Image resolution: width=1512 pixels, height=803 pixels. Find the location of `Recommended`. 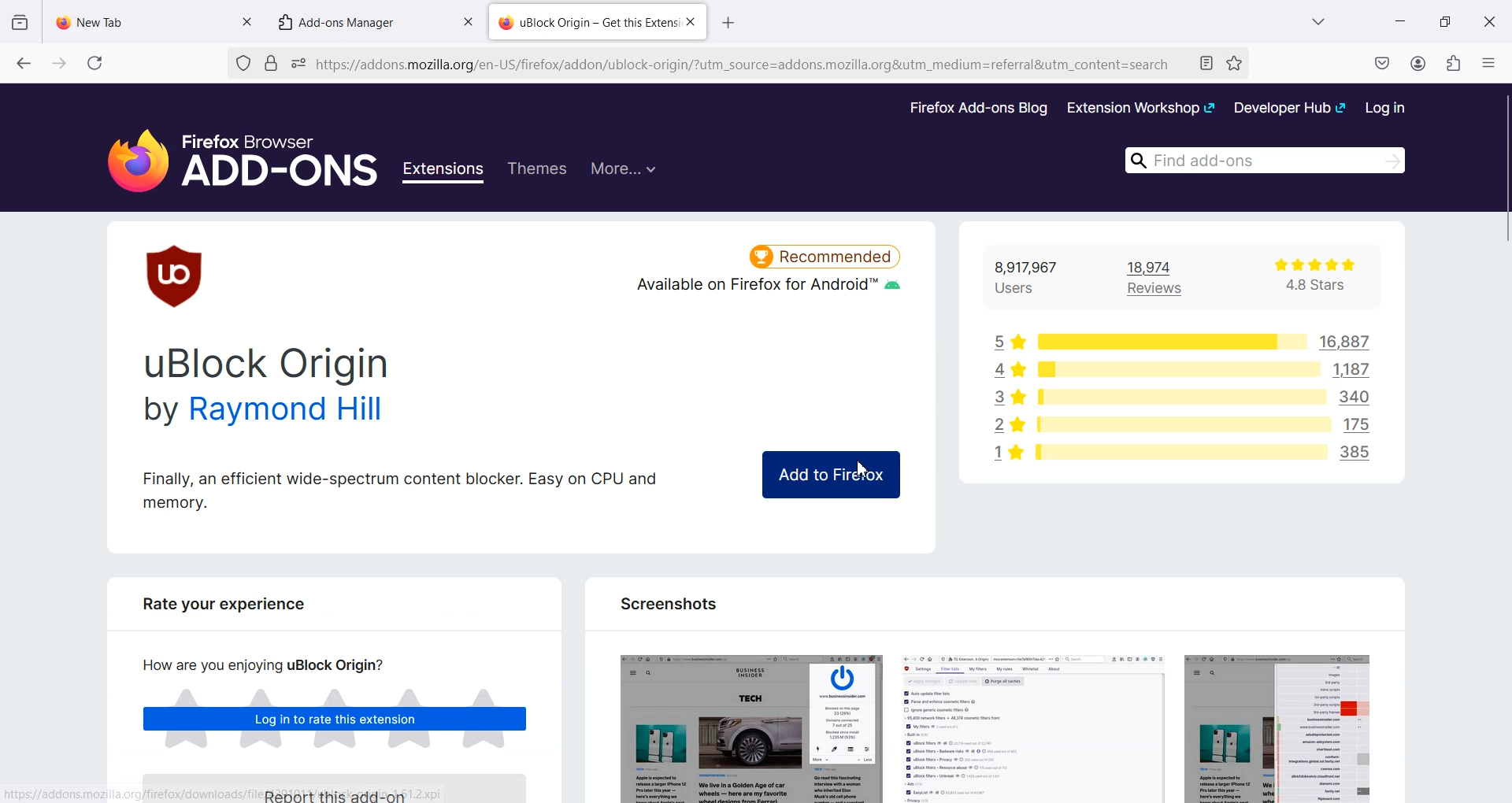

Recommended is located at coordinates (825, 253).